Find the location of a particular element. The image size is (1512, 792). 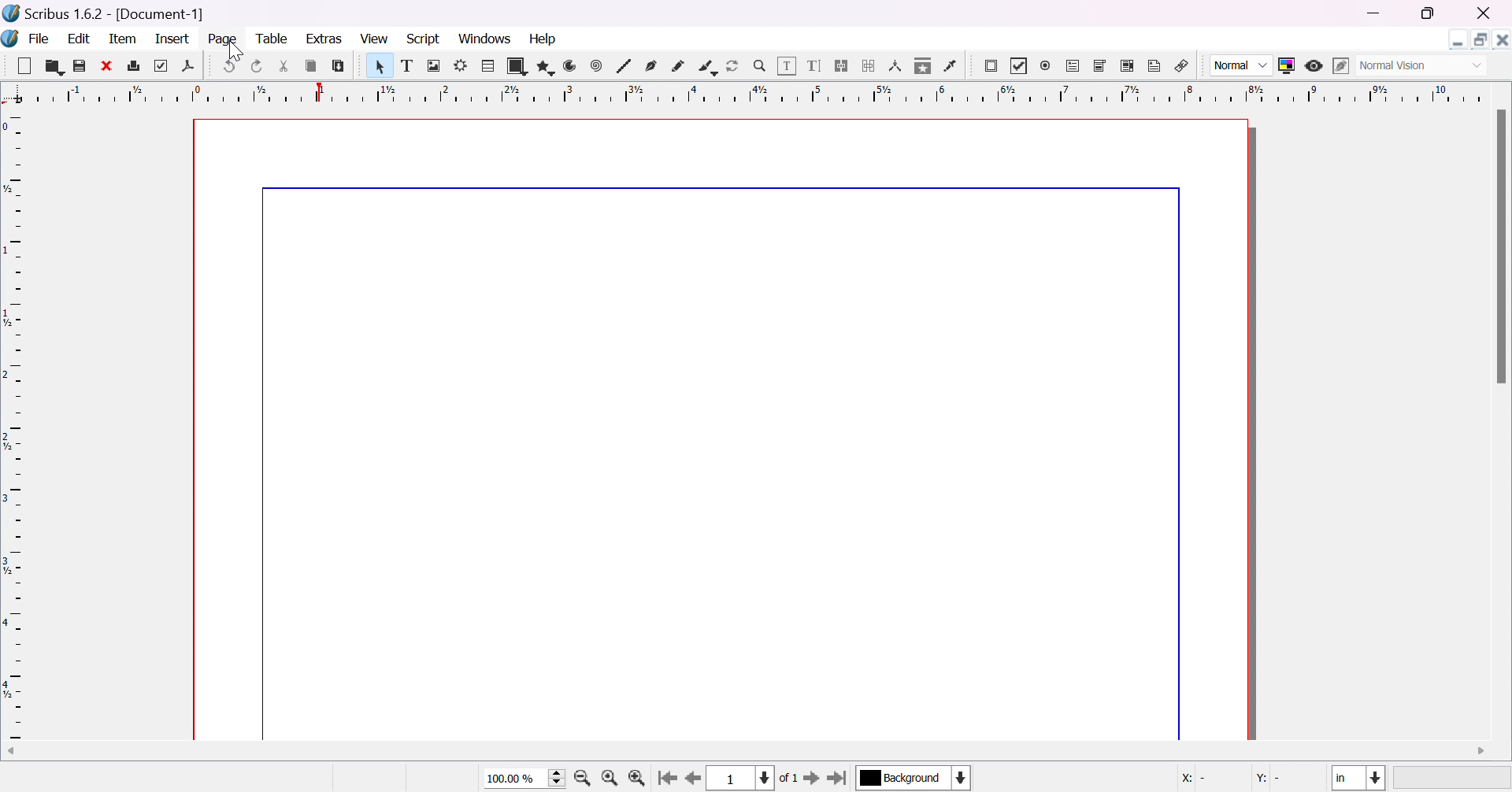

undo is located at coordinates (232, 64).